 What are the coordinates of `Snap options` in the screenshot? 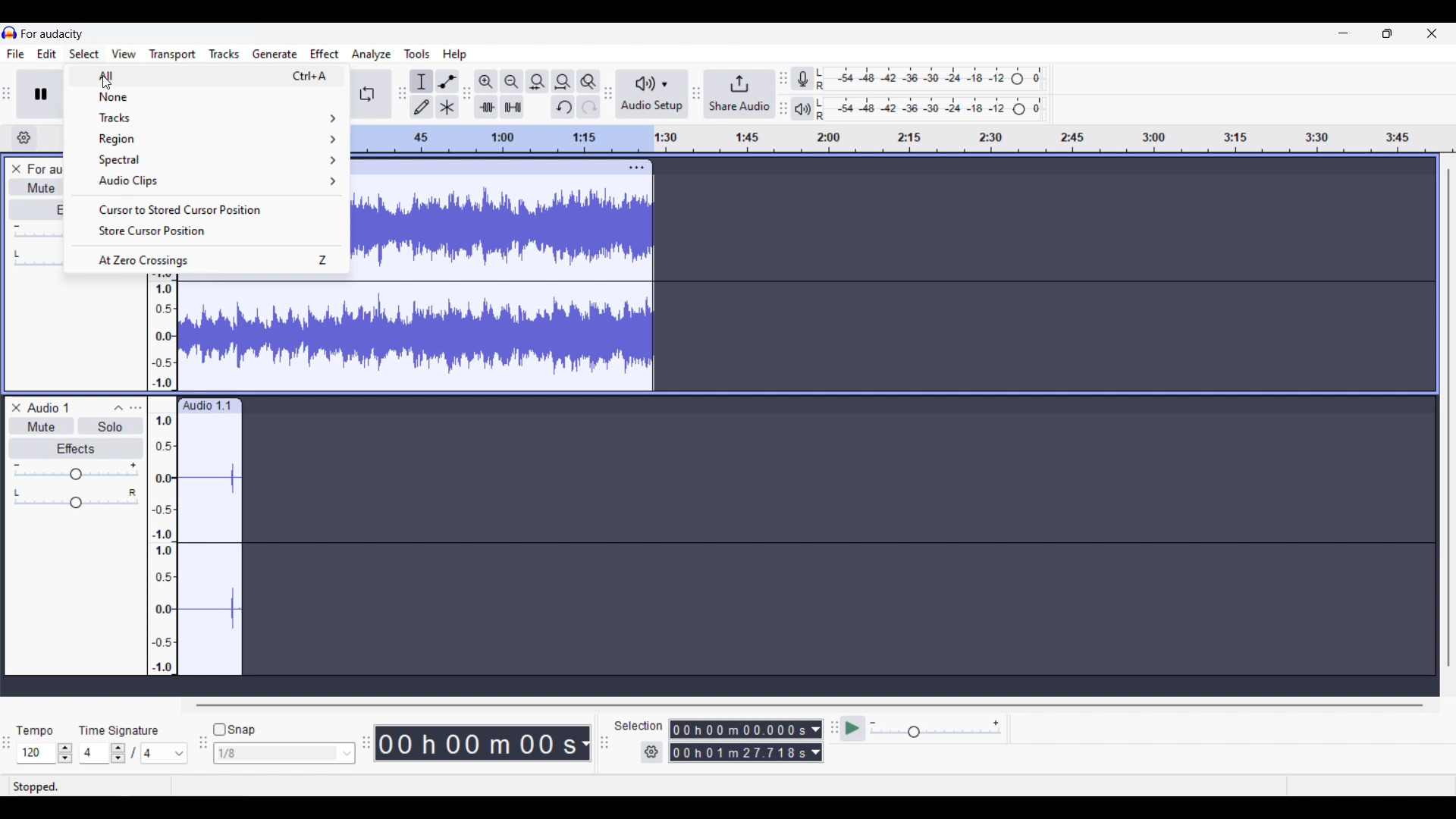 It's located at (284, 753).